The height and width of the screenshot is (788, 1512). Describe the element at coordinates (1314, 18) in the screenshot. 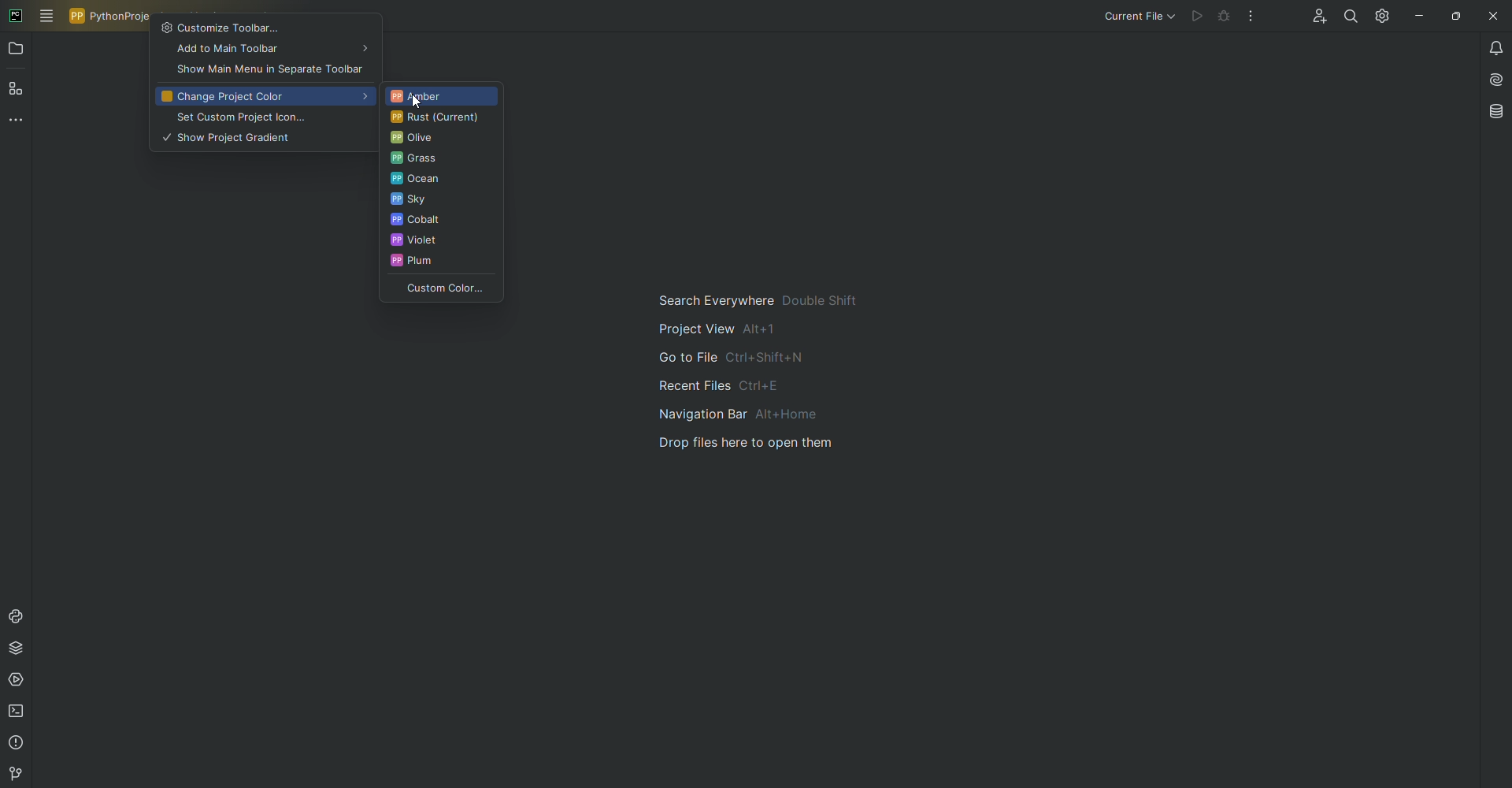

I see `Code With Me` at that location.